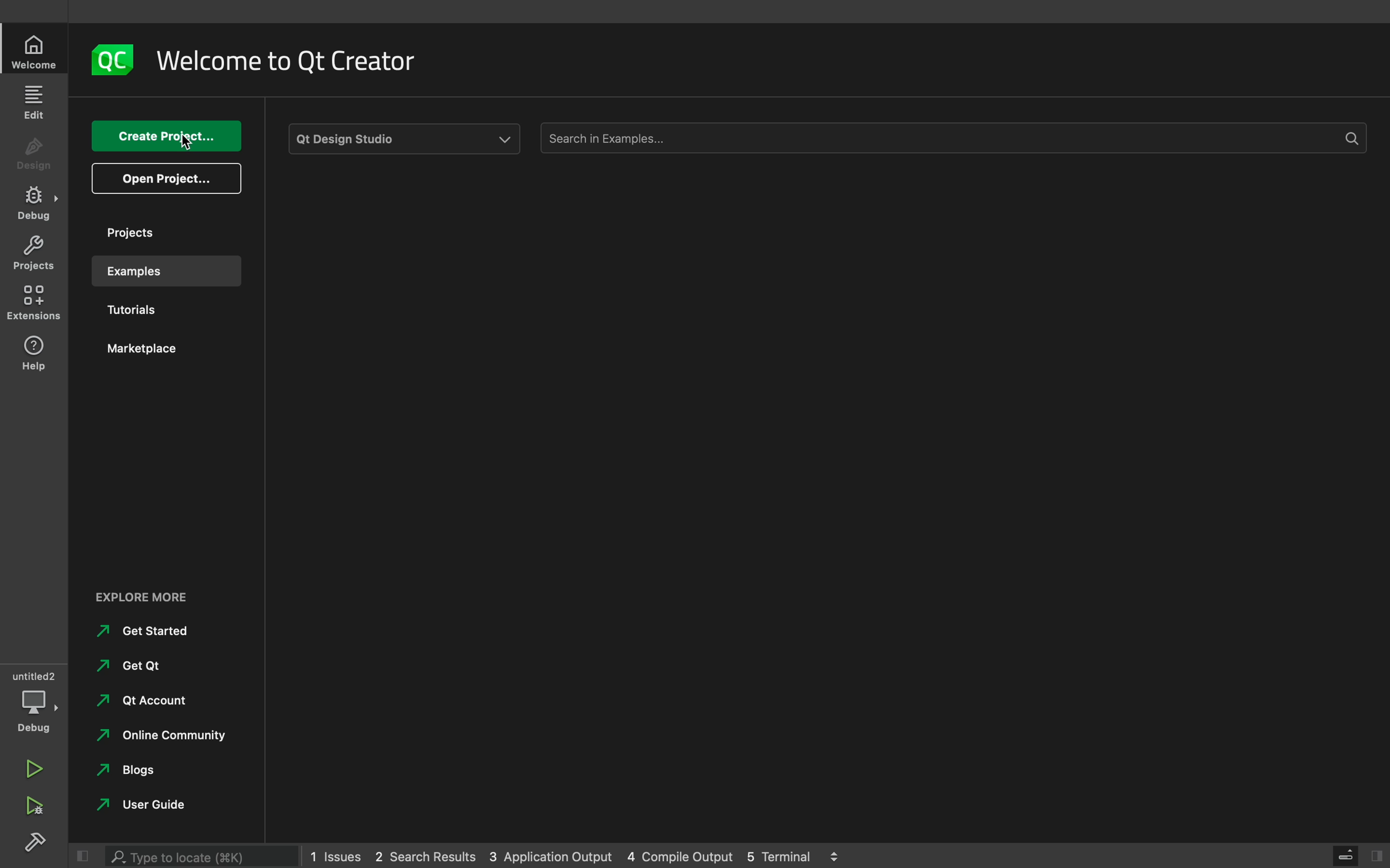  Describe the element at coordinates (34, 805) in the screenshot. I see `debug and run` at that location.